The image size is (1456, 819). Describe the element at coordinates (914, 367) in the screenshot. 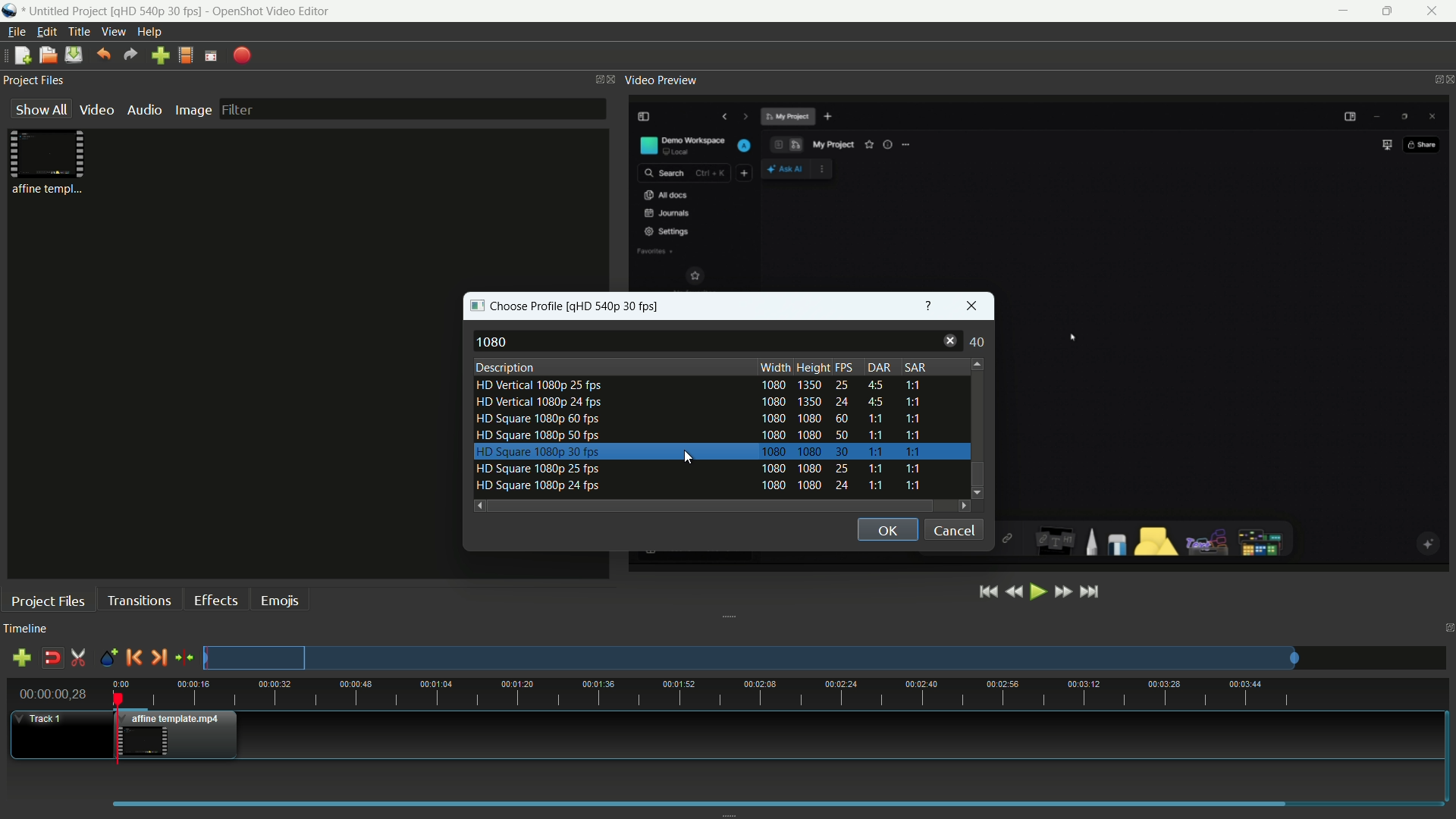

I see `sar` at that location.